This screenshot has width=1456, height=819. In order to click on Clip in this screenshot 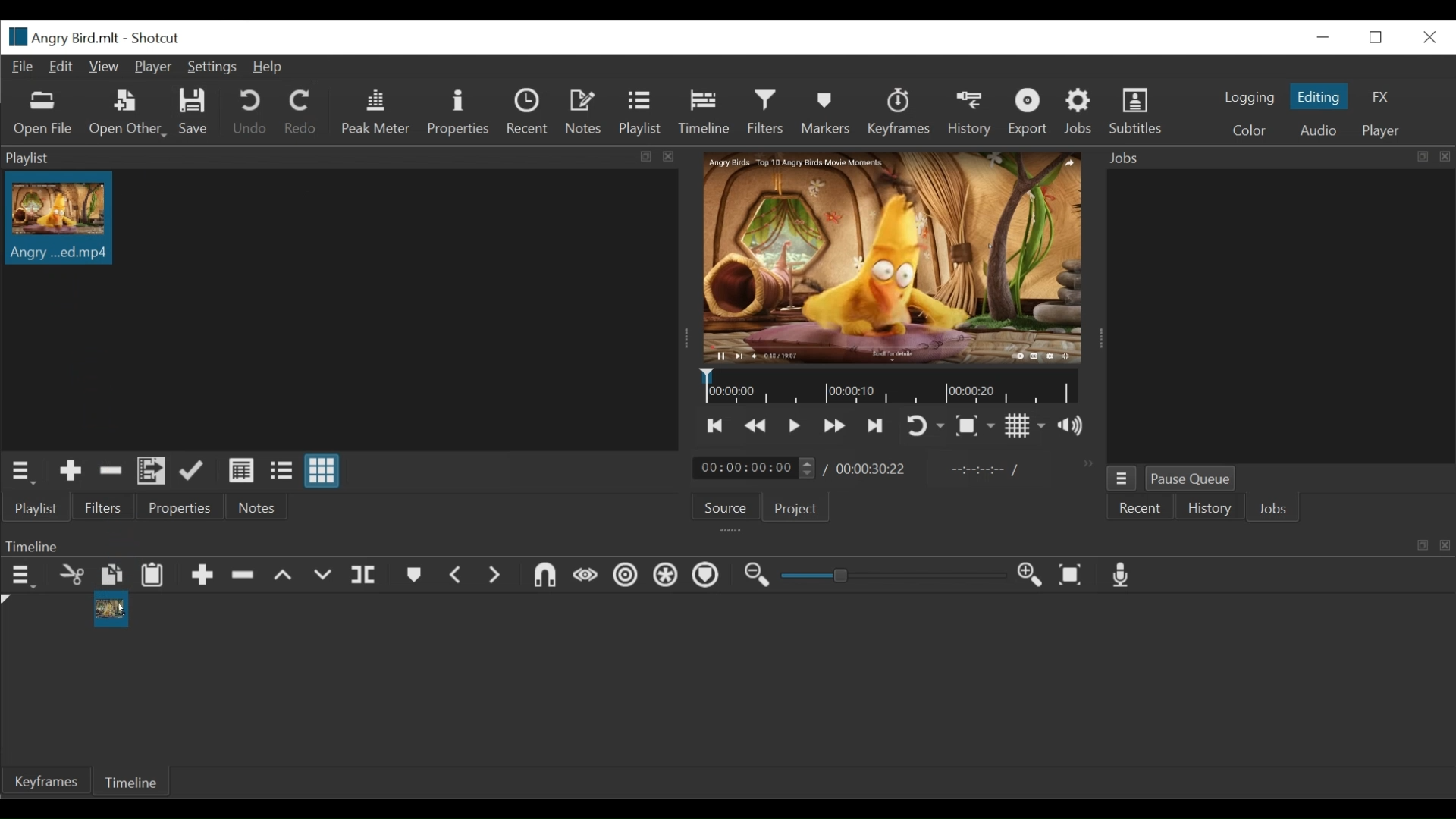, I will do `click(111, 611)`.